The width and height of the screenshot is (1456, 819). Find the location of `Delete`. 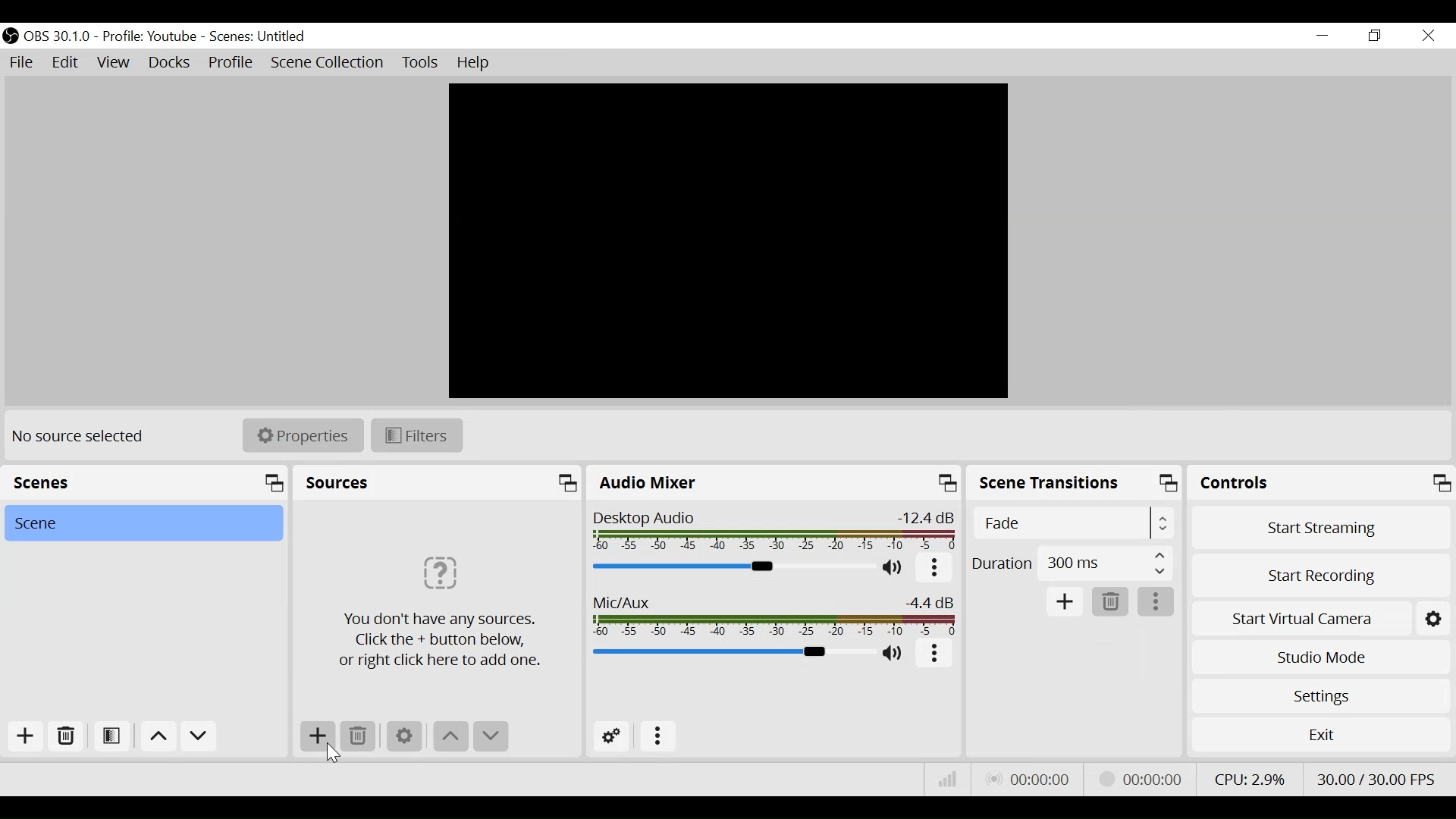

Delete is located at coordinates (1108, 602).